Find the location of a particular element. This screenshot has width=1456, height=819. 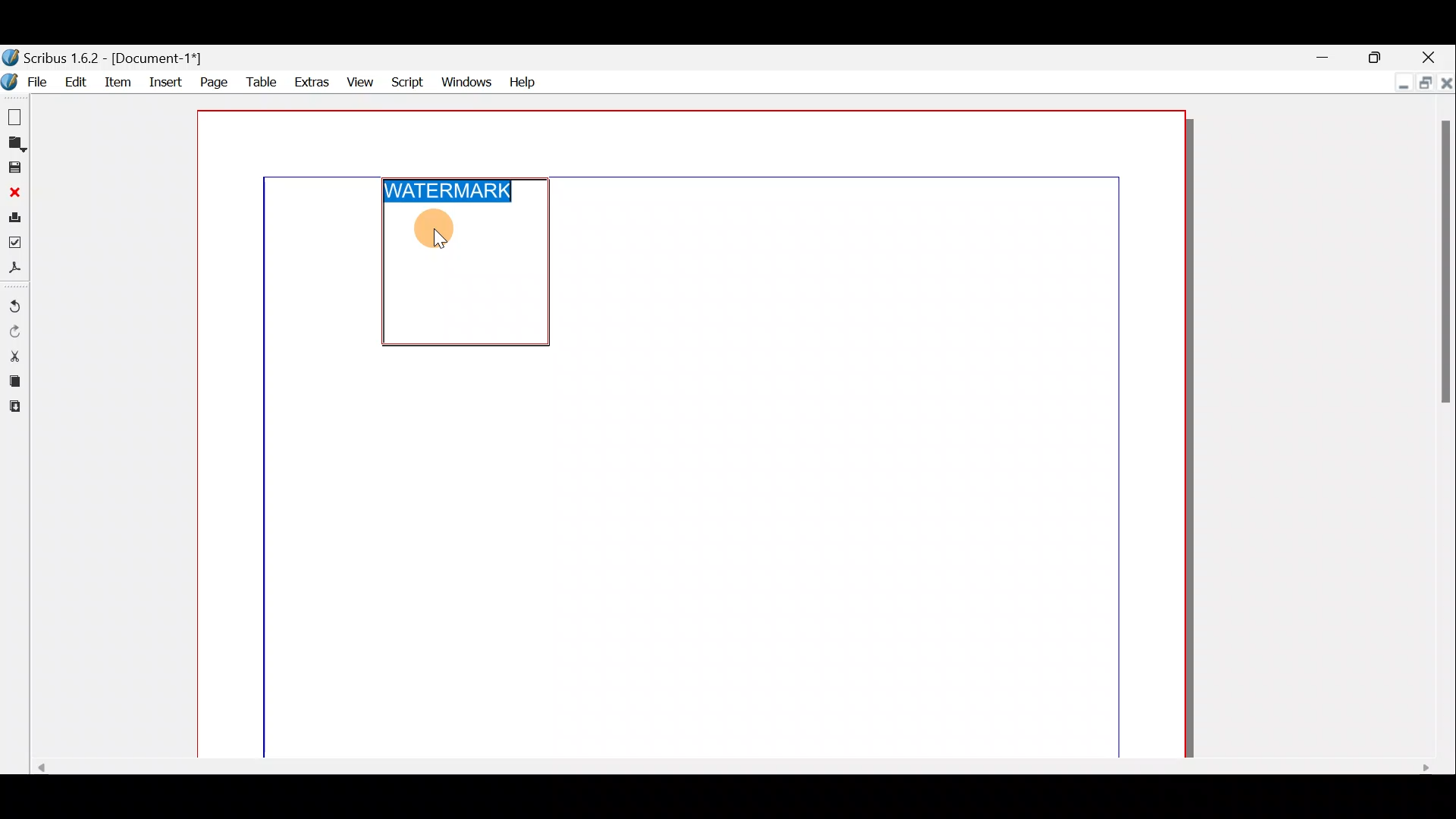

Scroll bar is located at coordinates (1445, 429).